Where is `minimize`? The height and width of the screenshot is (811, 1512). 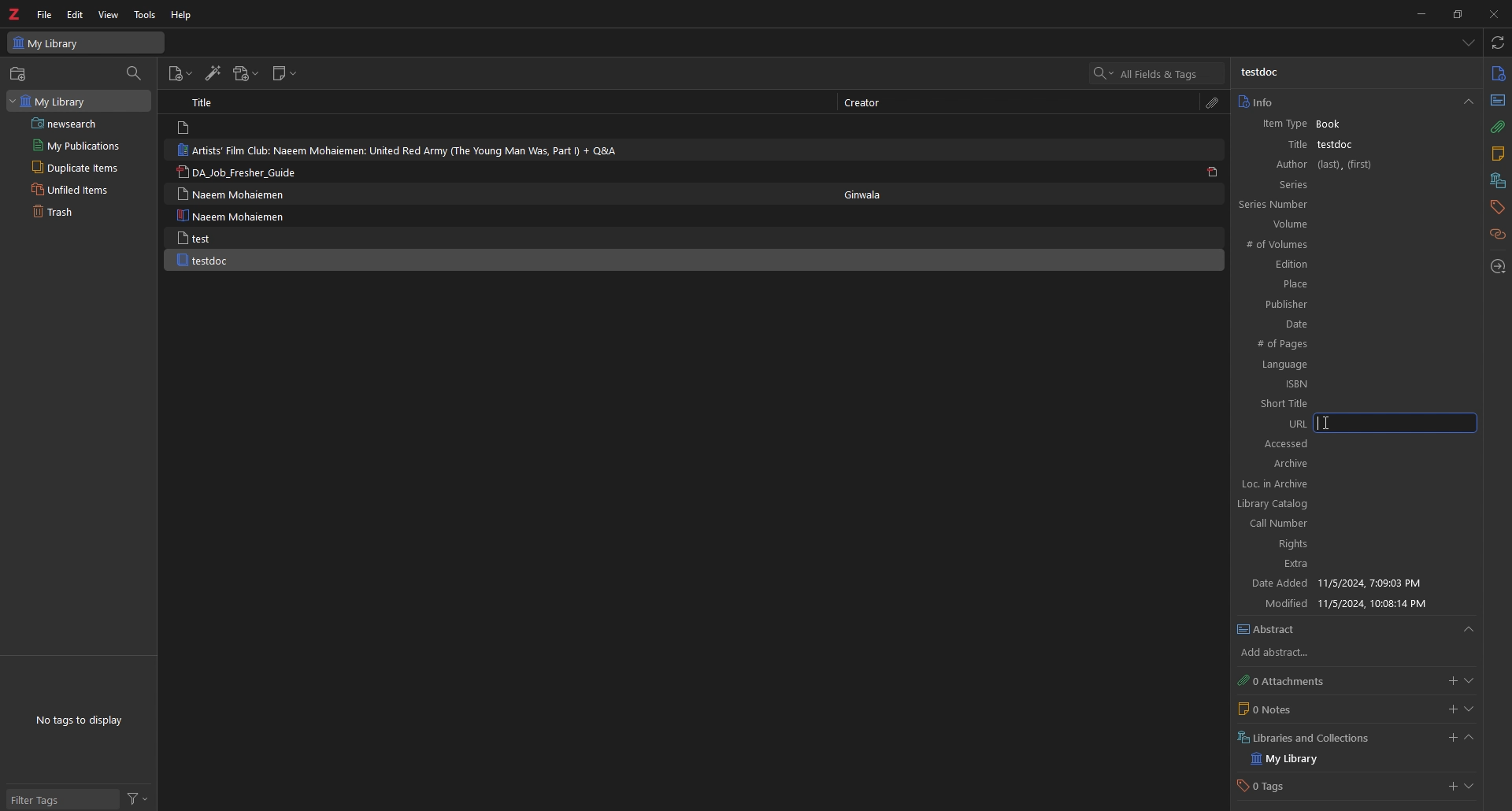
minimize is located at coordinates (1420, 13).